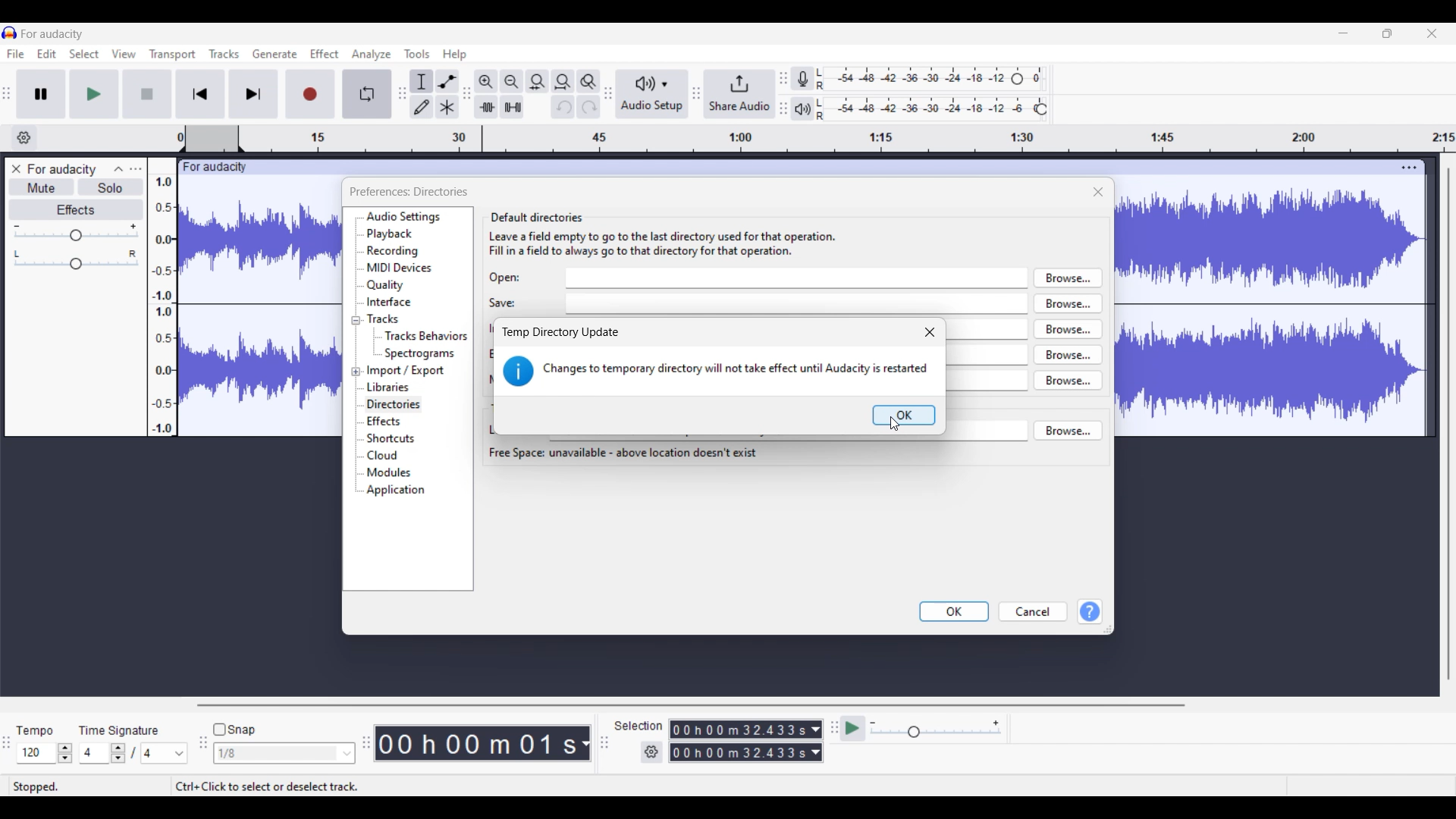 The image size is (1456, 819). Describe the element at coordinates (447, 82) in the screenshot. I see `Envelop tool` at that location.